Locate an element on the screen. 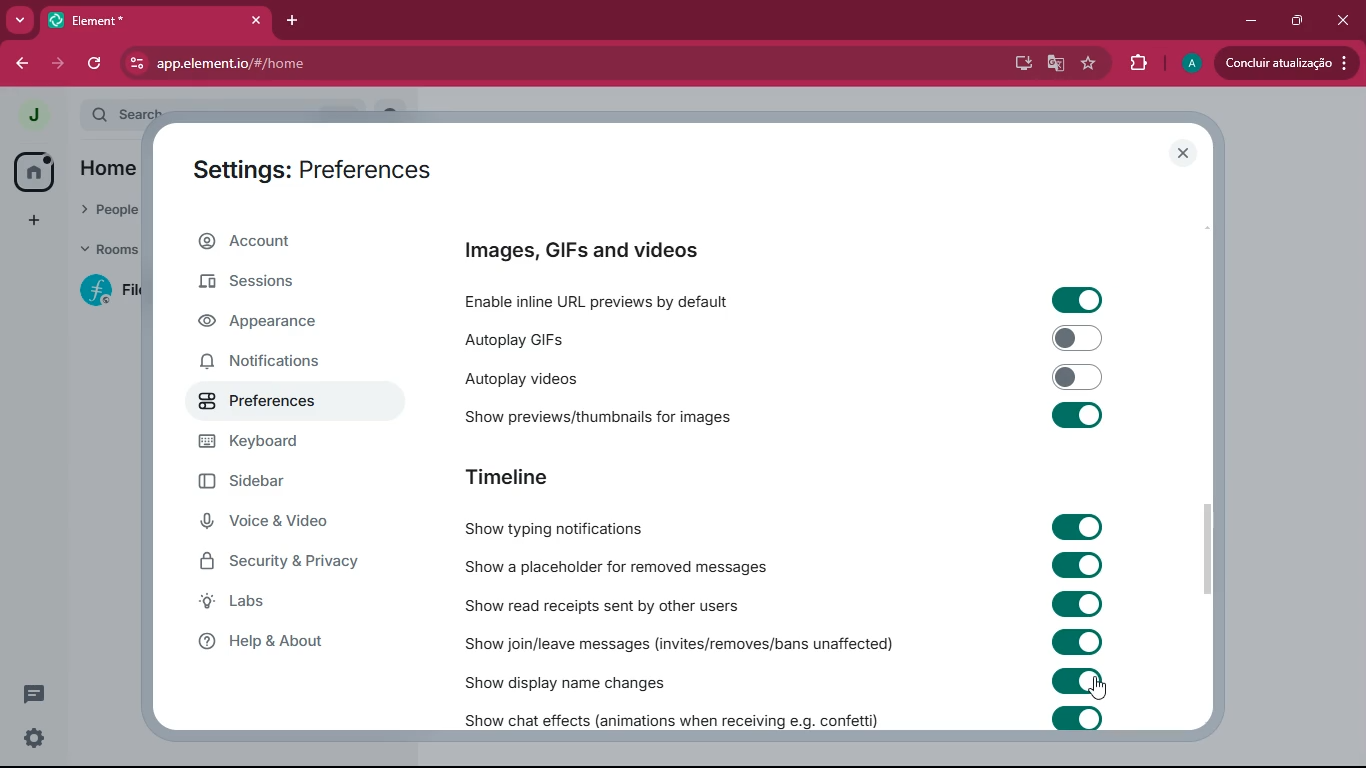 This screenshot has height=768, width=1366. toggle on/off is located at coordinates (1077, 603).